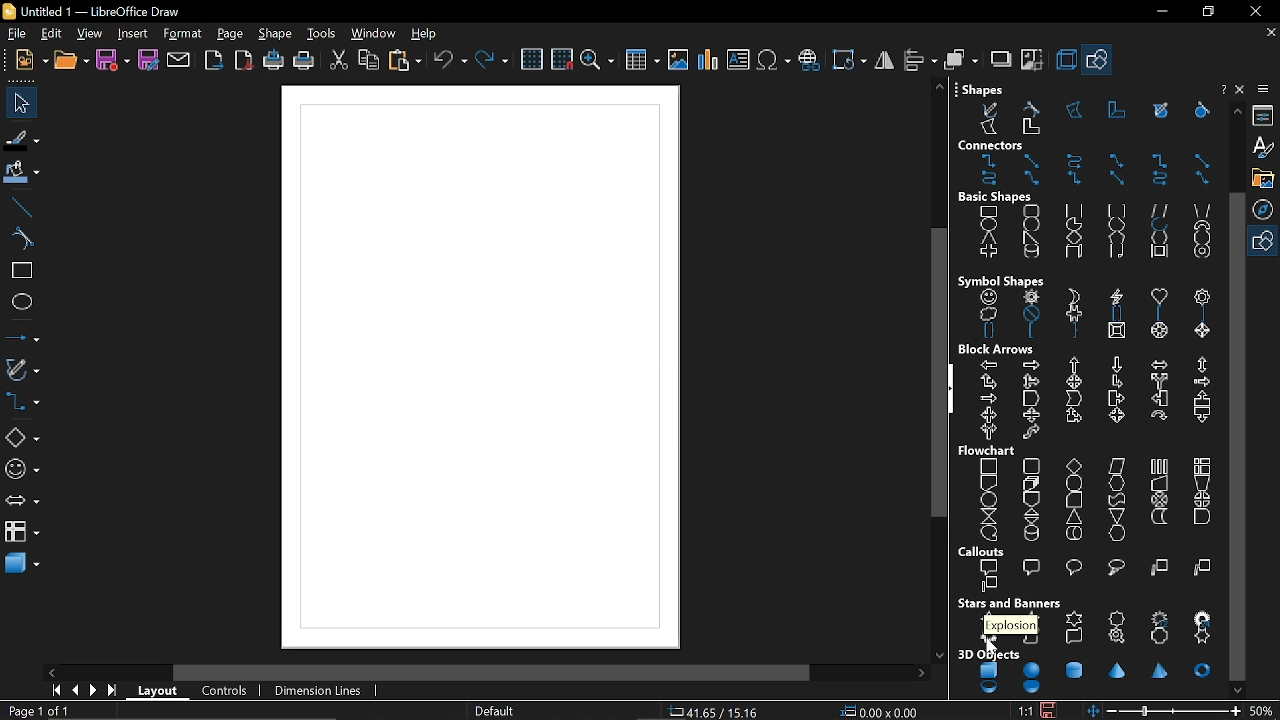  Describe the element at coordinates (215, 60) in the screenshot. I see `export` at that location.